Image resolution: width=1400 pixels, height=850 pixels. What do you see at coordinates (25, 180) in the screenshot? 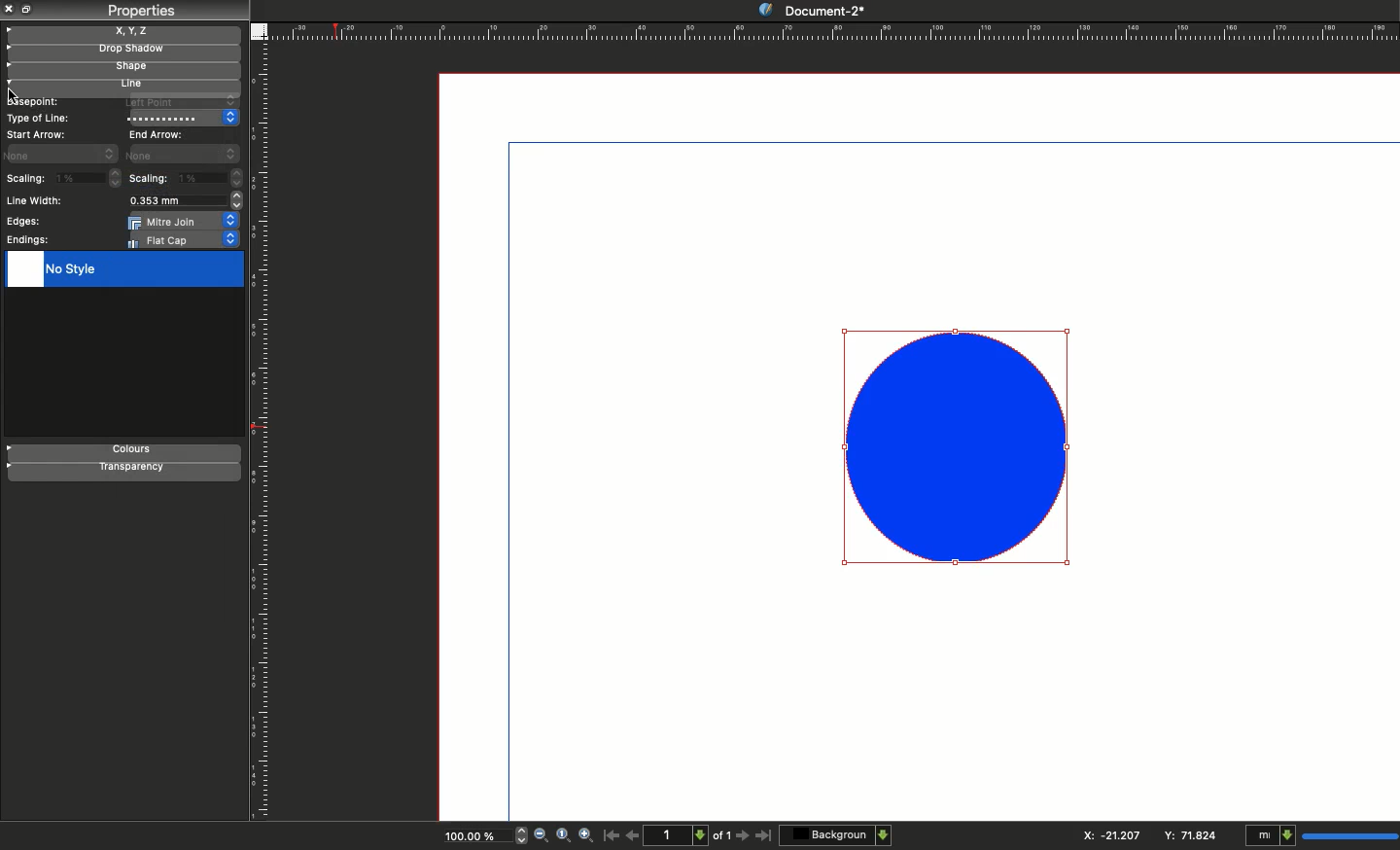
I see `Scaling` at bounding box center [25, 180].